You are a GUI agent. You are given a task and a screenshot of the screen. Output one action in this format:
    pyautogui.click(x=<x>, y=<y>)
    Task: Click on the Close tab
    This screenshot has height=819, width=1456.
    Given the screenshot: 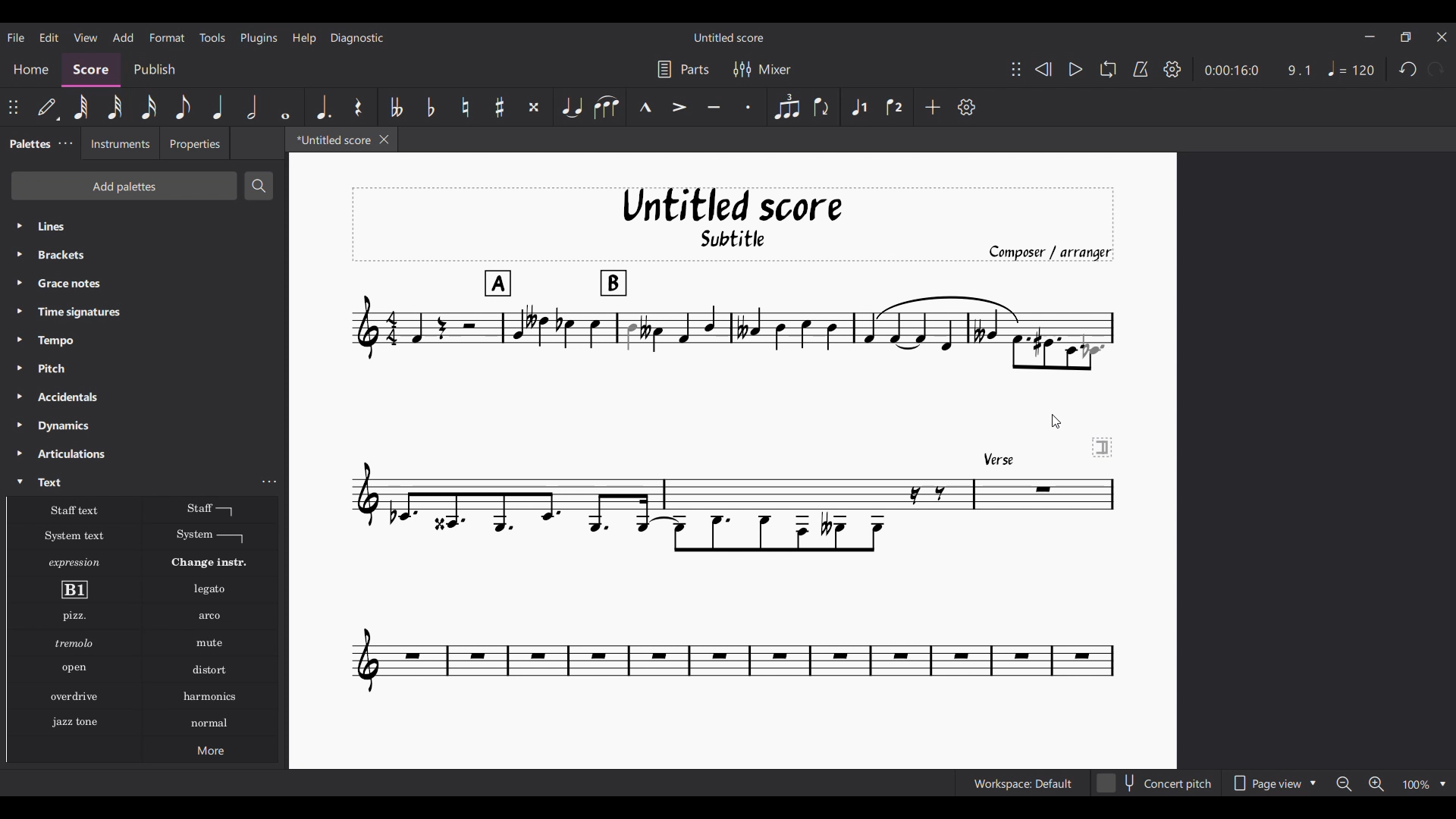 What is the action you would take?
    pyautogui.click(x=384, y=140)
    